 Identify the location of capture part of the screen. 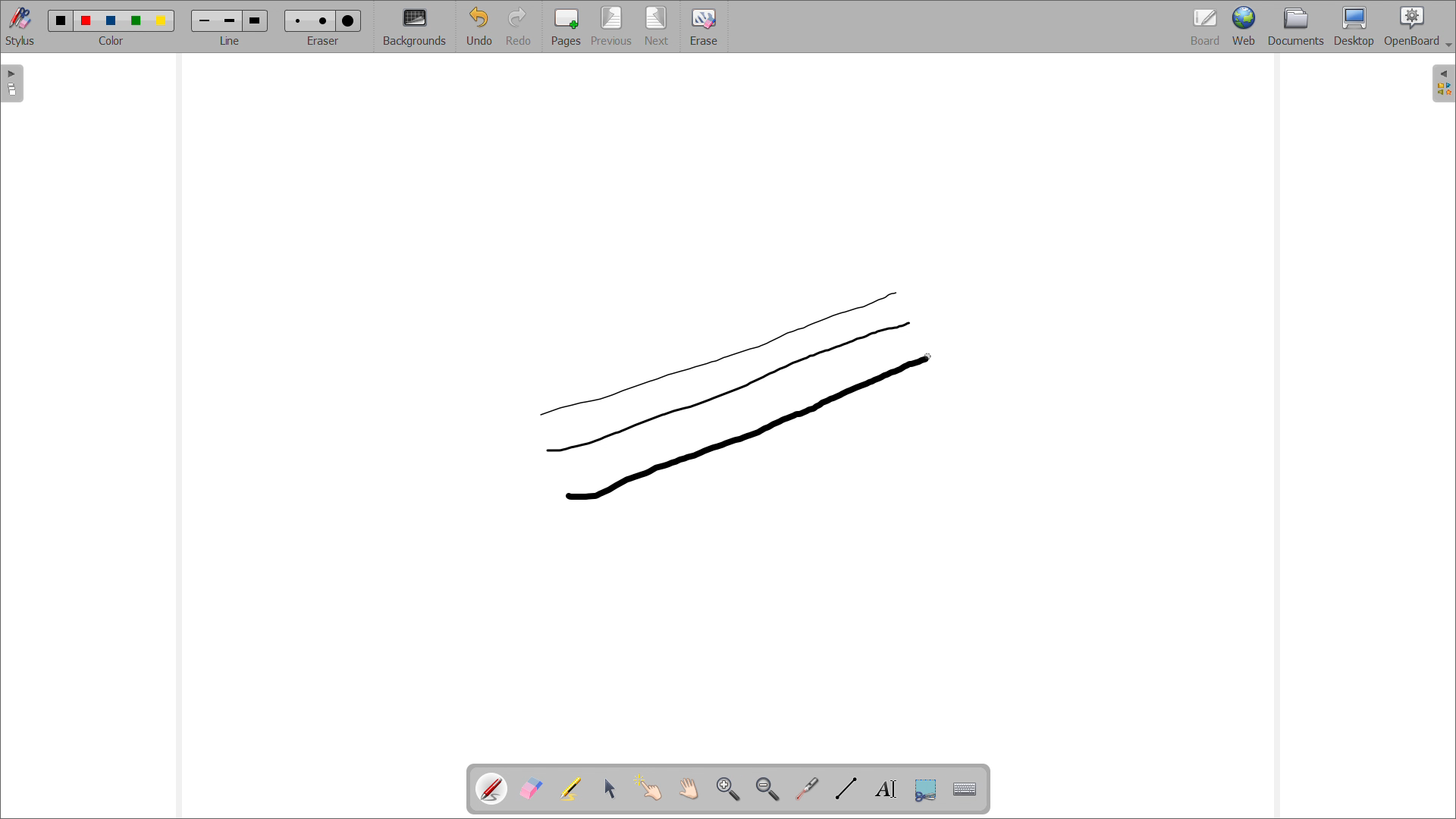
(926, 789).